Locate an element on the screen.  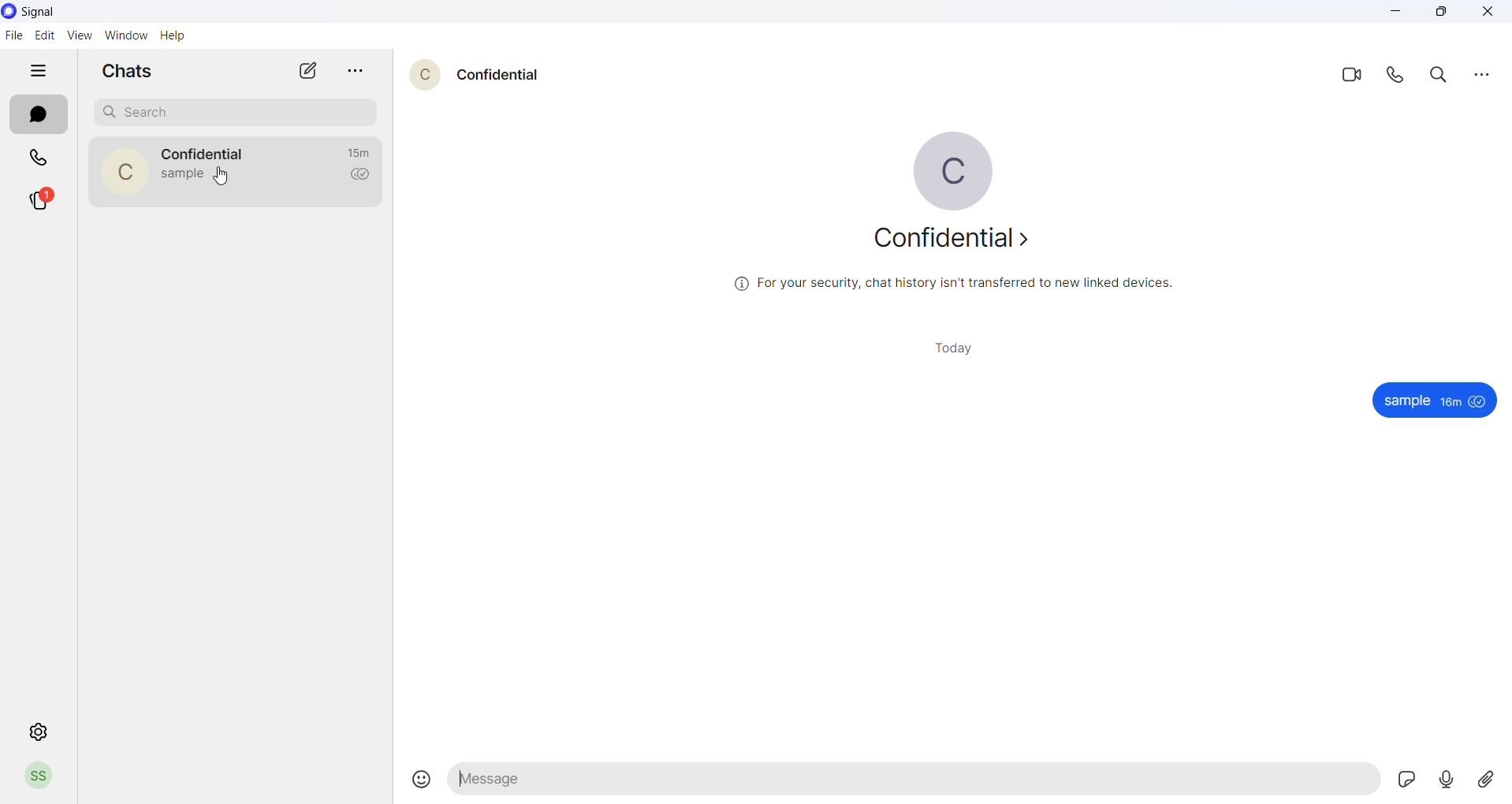
video call is located at coordinates (1356, 73).